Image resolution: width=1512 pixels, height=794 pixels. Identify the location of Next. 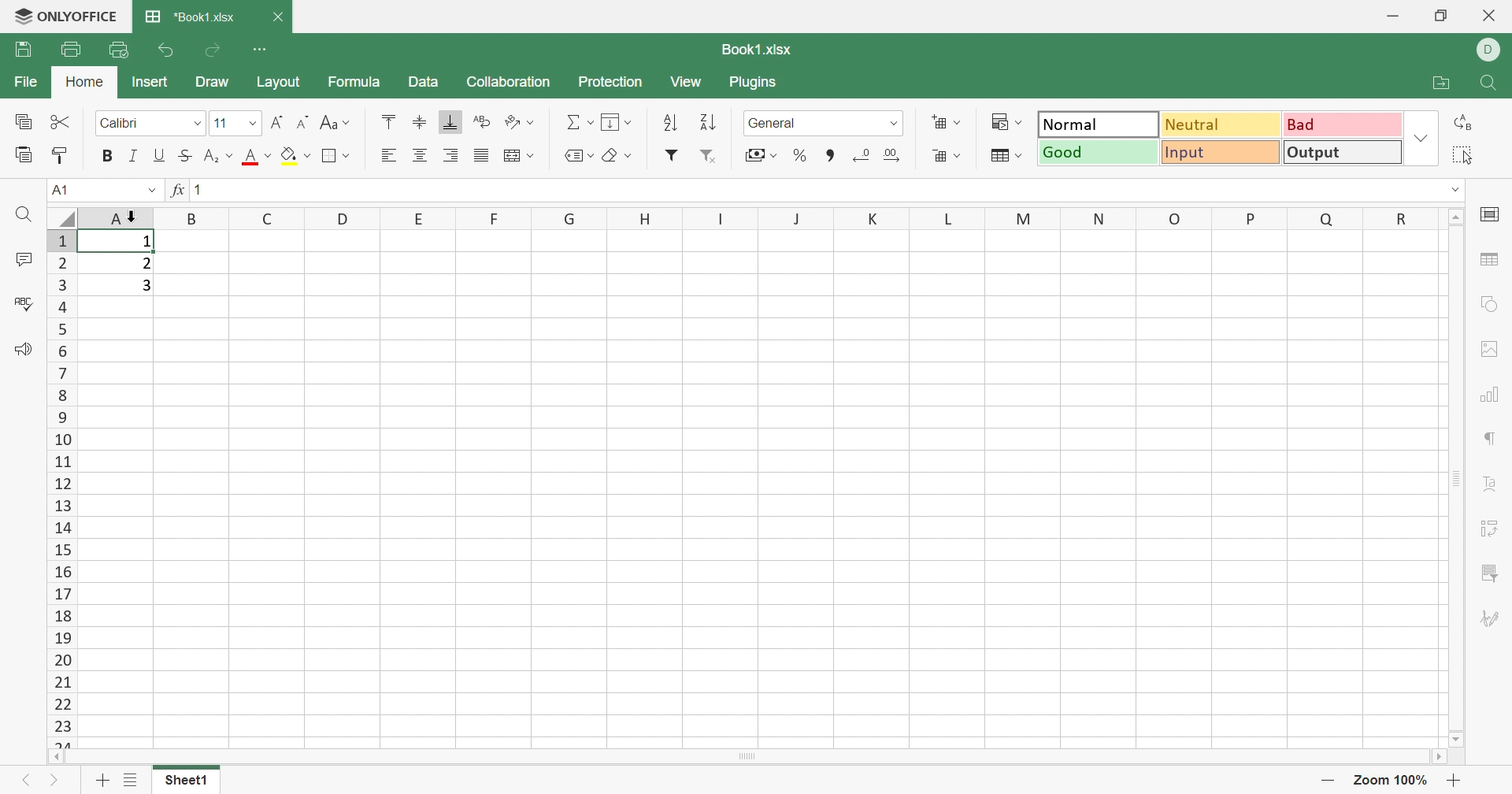
(54, 783).